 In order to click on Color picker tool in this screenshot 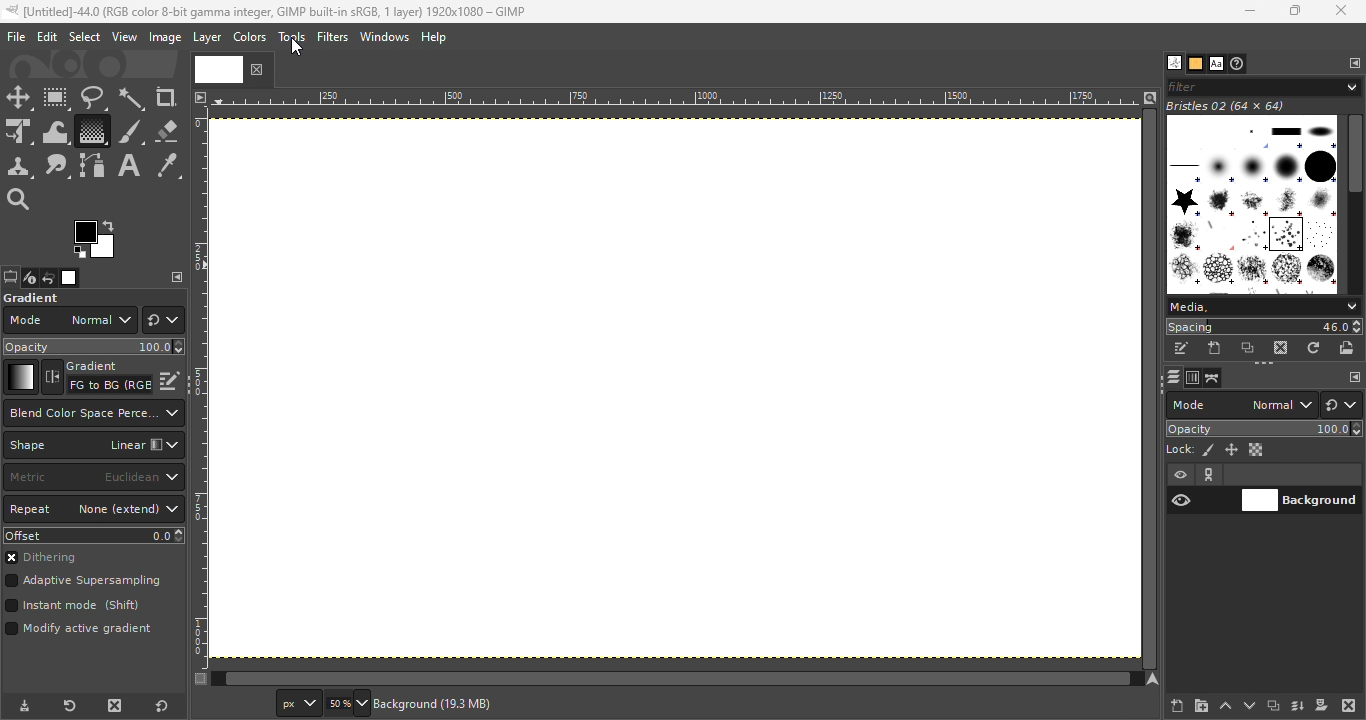, I will do `click(168, 167)`.